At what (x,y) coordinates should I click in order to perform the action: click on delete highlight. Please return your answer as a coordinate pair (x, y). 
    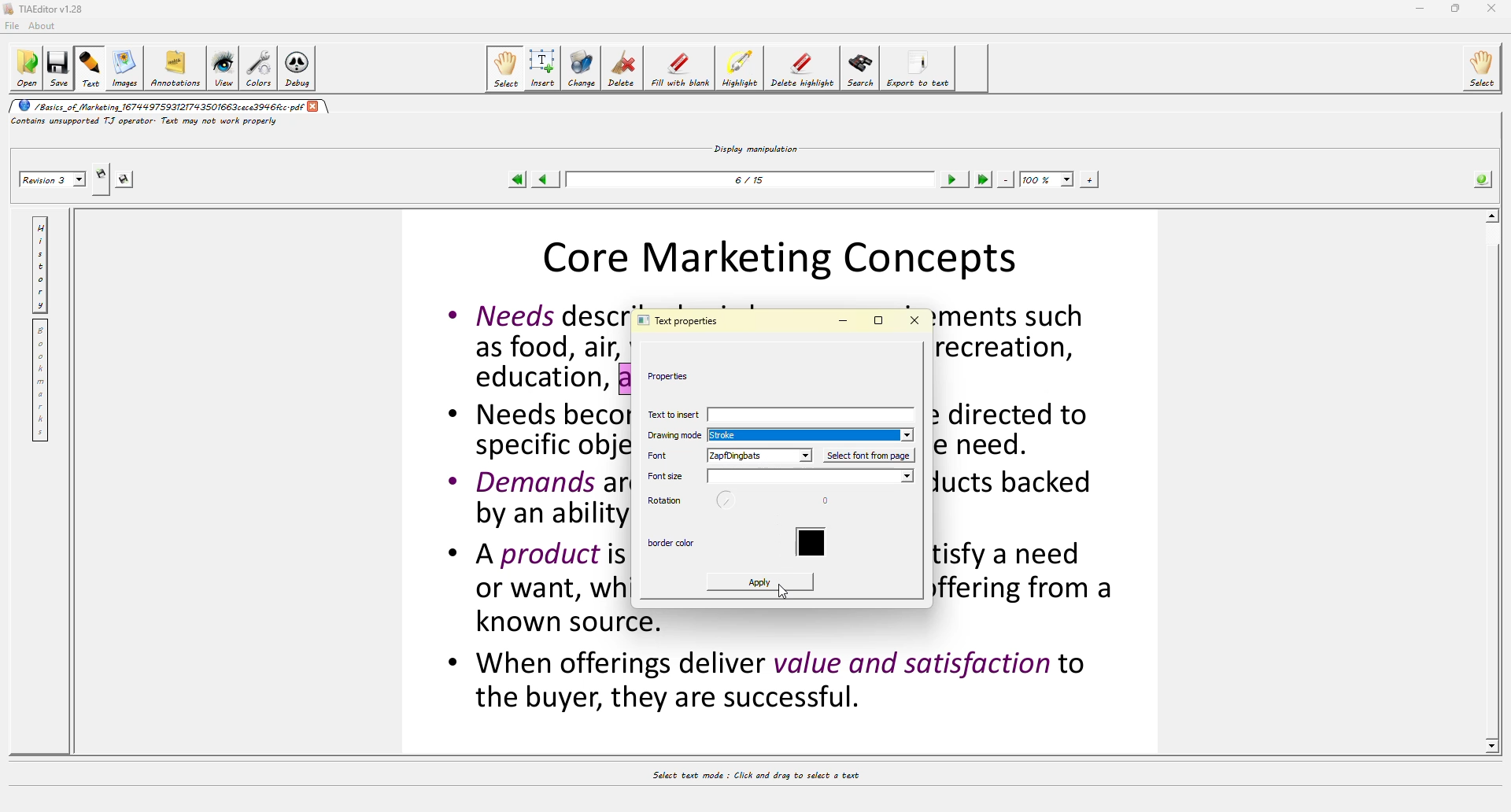
    Looking at the image, I should click on (800, 66).